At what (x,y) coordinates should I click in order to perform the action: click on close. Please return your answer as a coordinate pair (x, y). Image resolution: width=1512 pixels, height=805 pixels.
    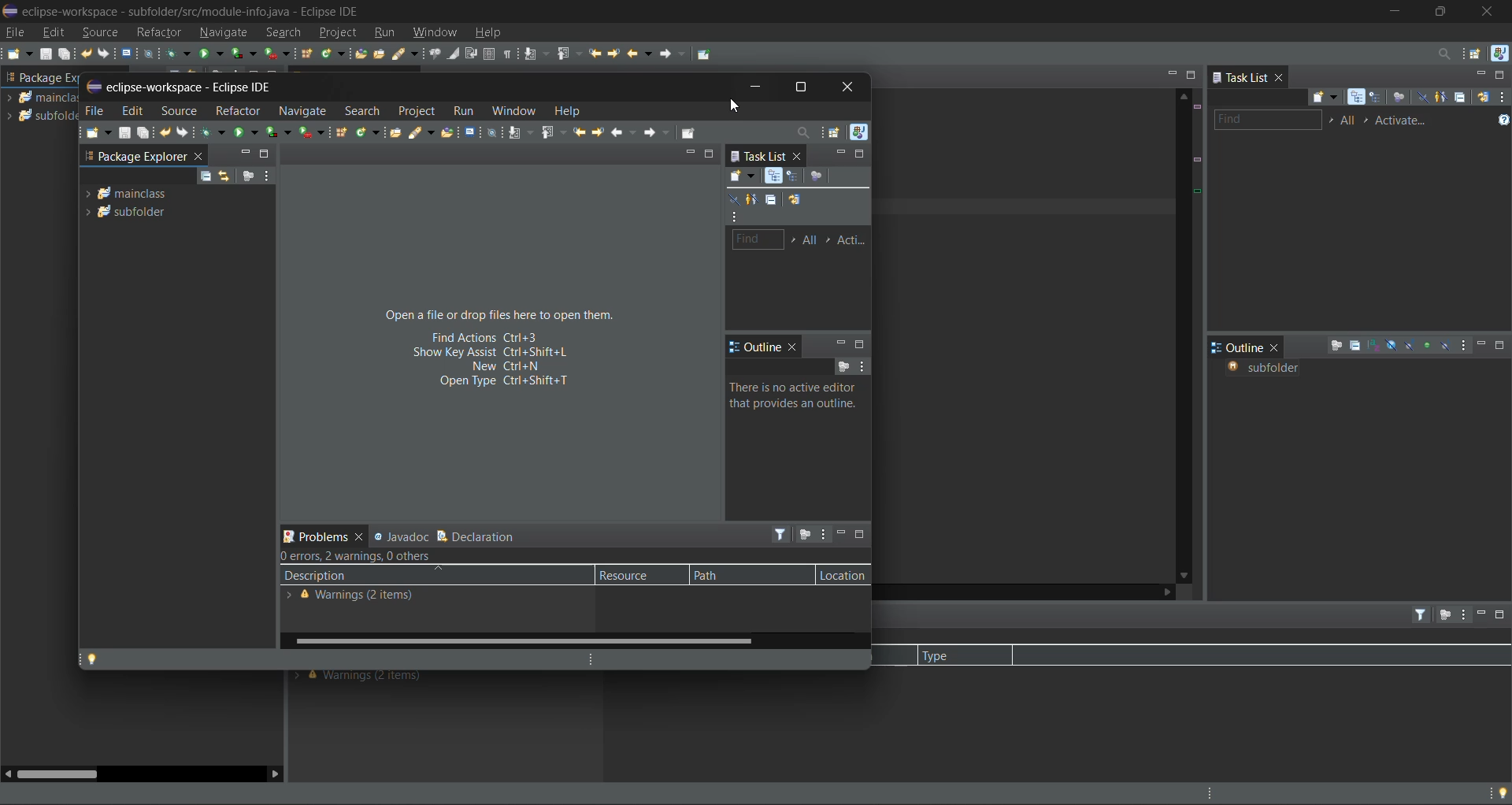
    Looking at the image, I should click on (200, 158).